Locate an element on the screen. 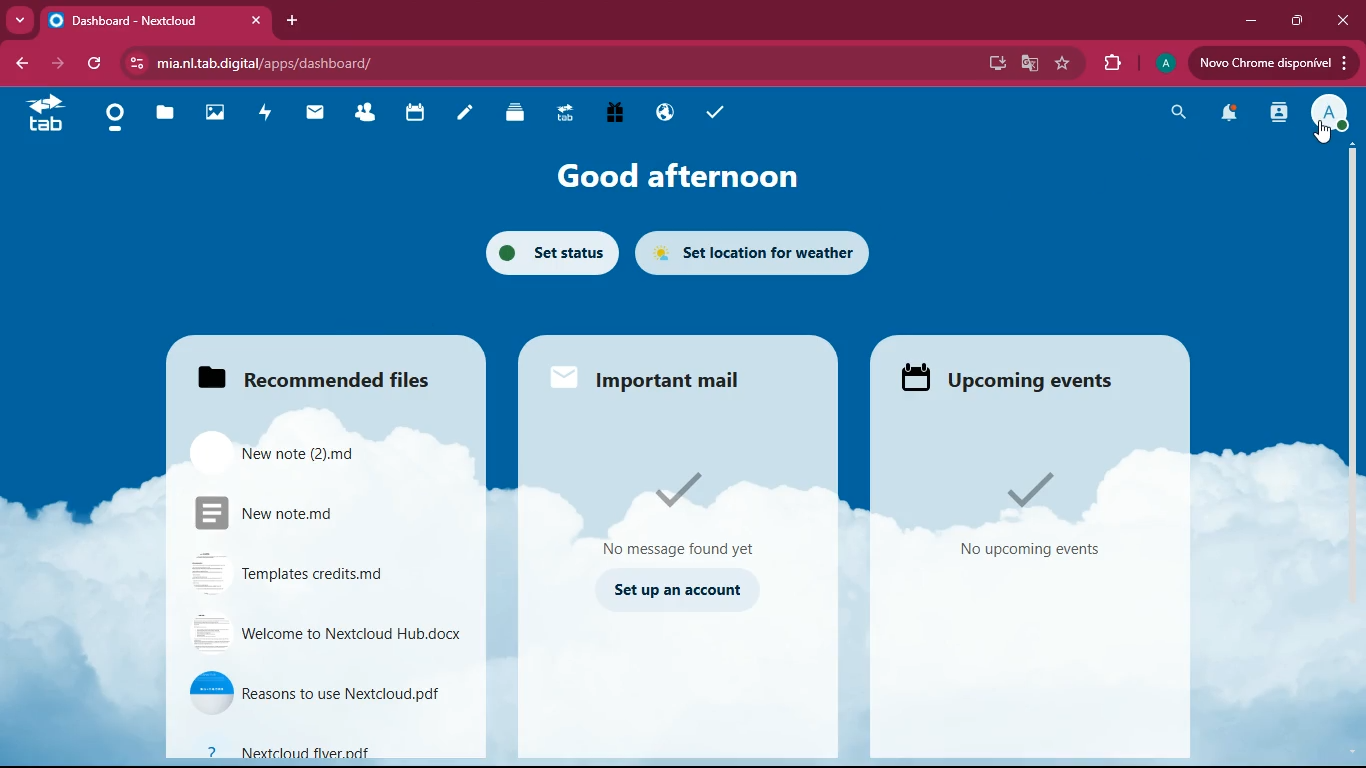  tab is located at coordinates (50, 117).